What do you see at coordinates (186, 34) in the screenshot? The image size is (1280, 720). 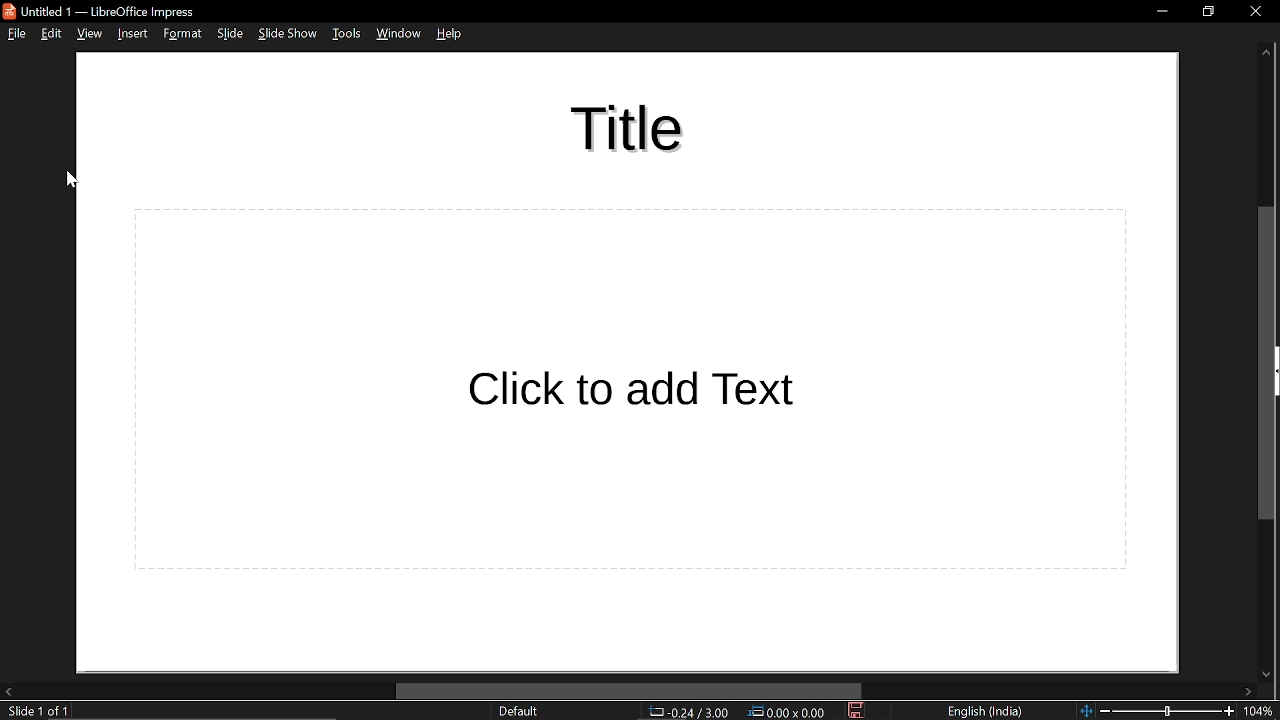 I see `format` at bounding box center [186, 34].